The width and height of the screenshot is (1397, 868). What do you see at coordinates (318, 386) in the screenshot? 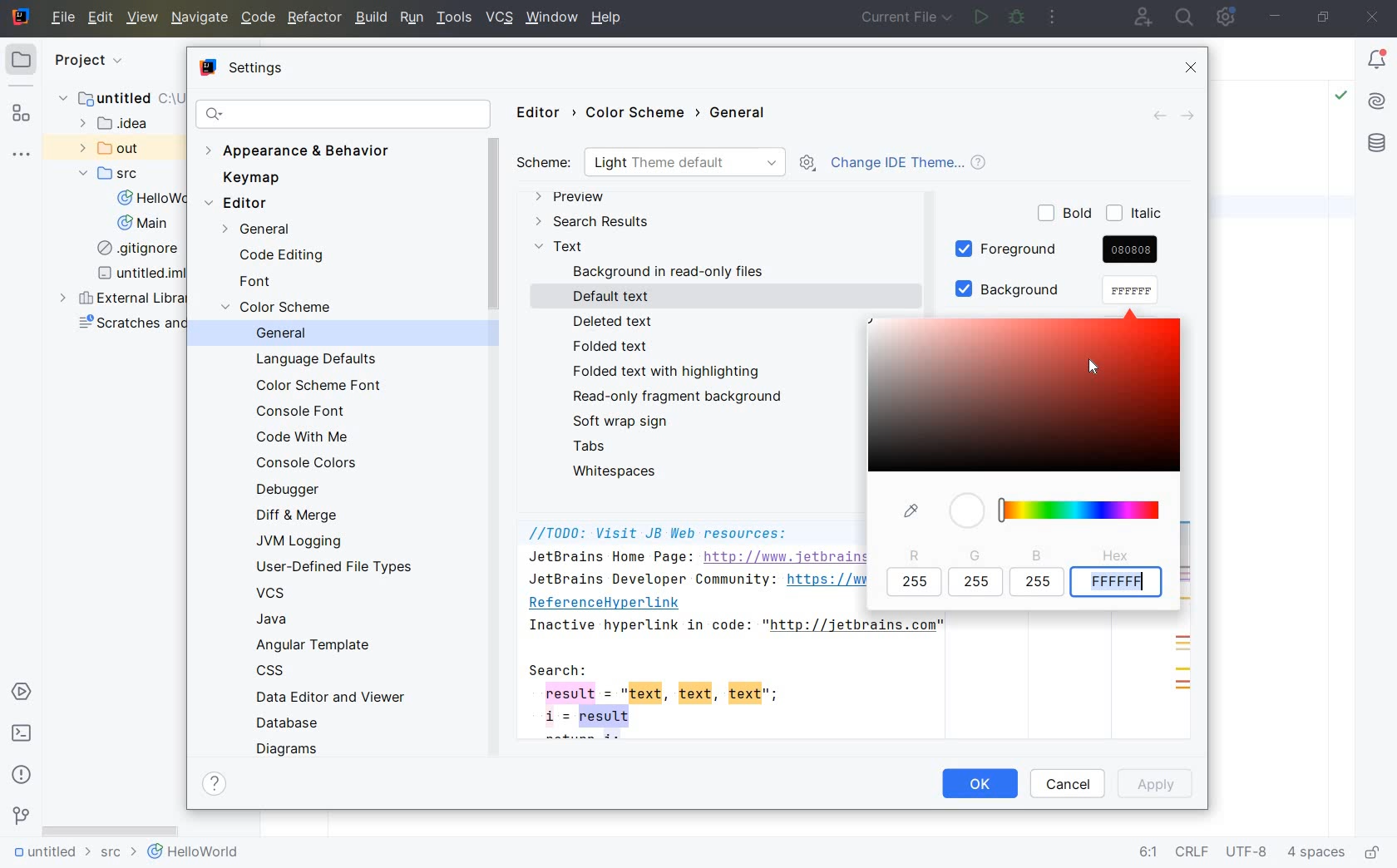
I see `COLOR SCHEME FONT` at bounding box center [318, 386].